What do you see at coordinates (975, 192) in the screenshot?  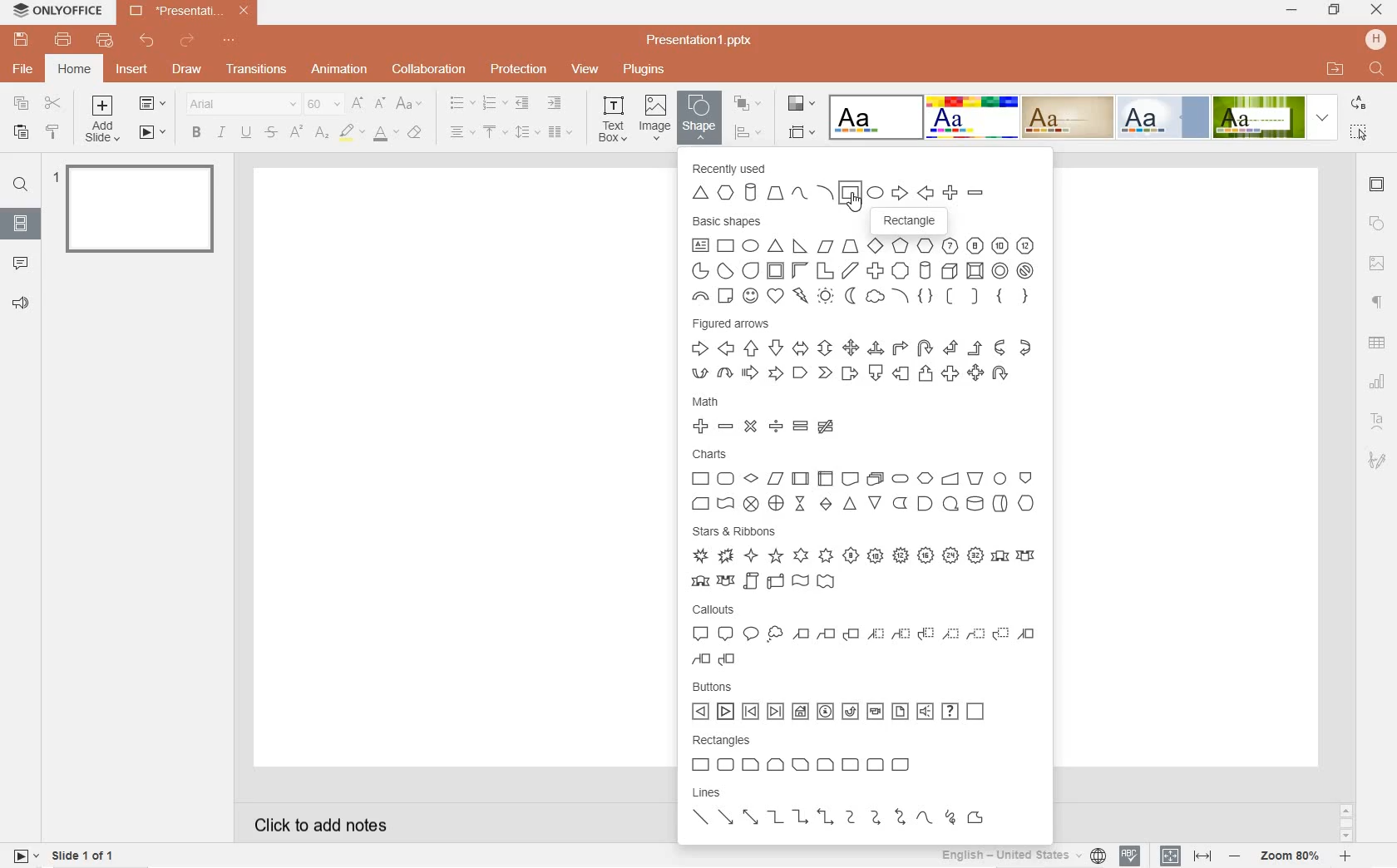 I see `Minus` at bounding box center [975, 192].